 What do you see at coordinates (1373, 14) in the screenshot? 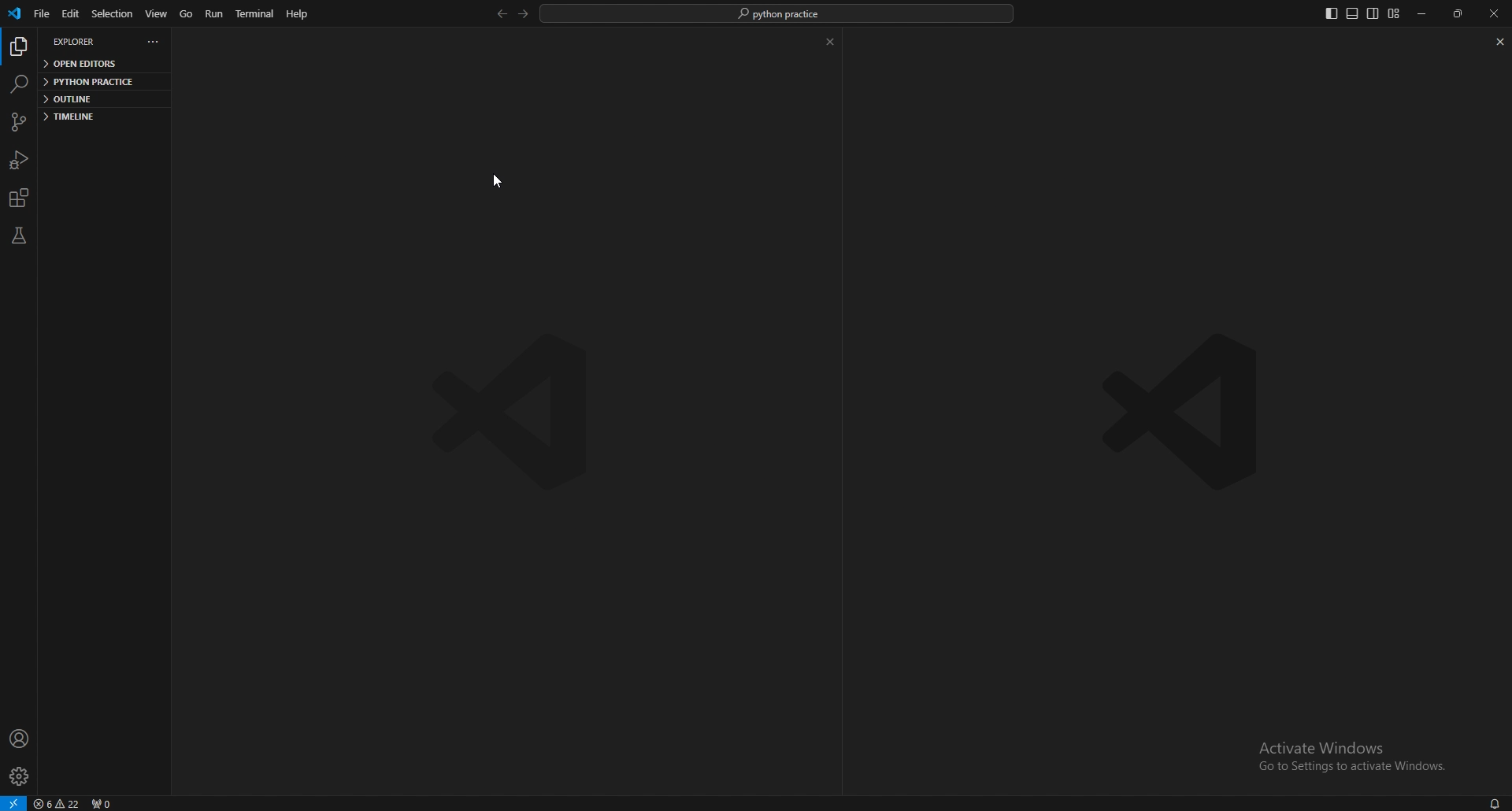
I see `toggle secondary sidebar` at bounding box center [1373, 14].